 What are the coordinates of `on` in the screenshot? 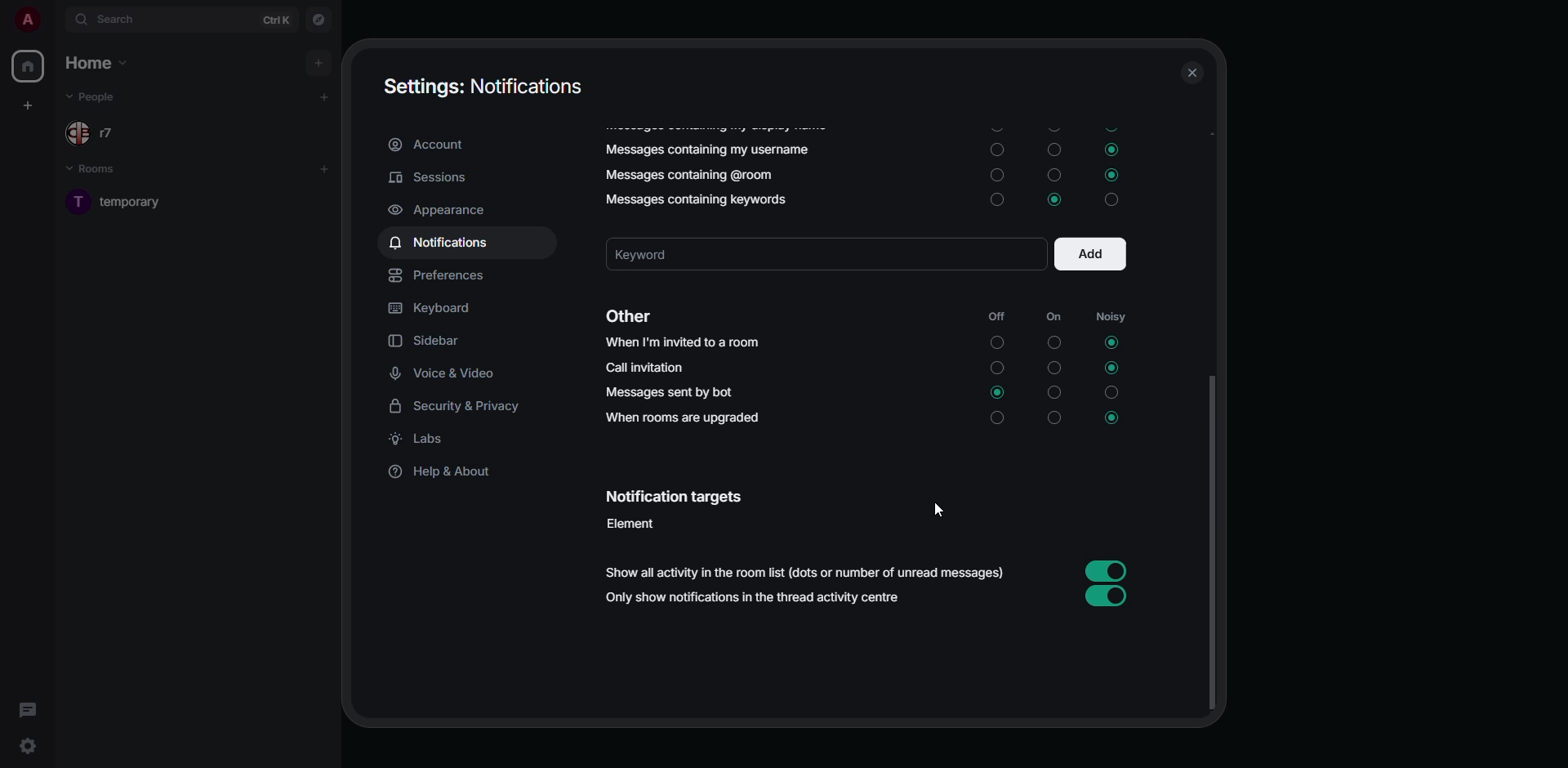 It's located at (1053, 317).